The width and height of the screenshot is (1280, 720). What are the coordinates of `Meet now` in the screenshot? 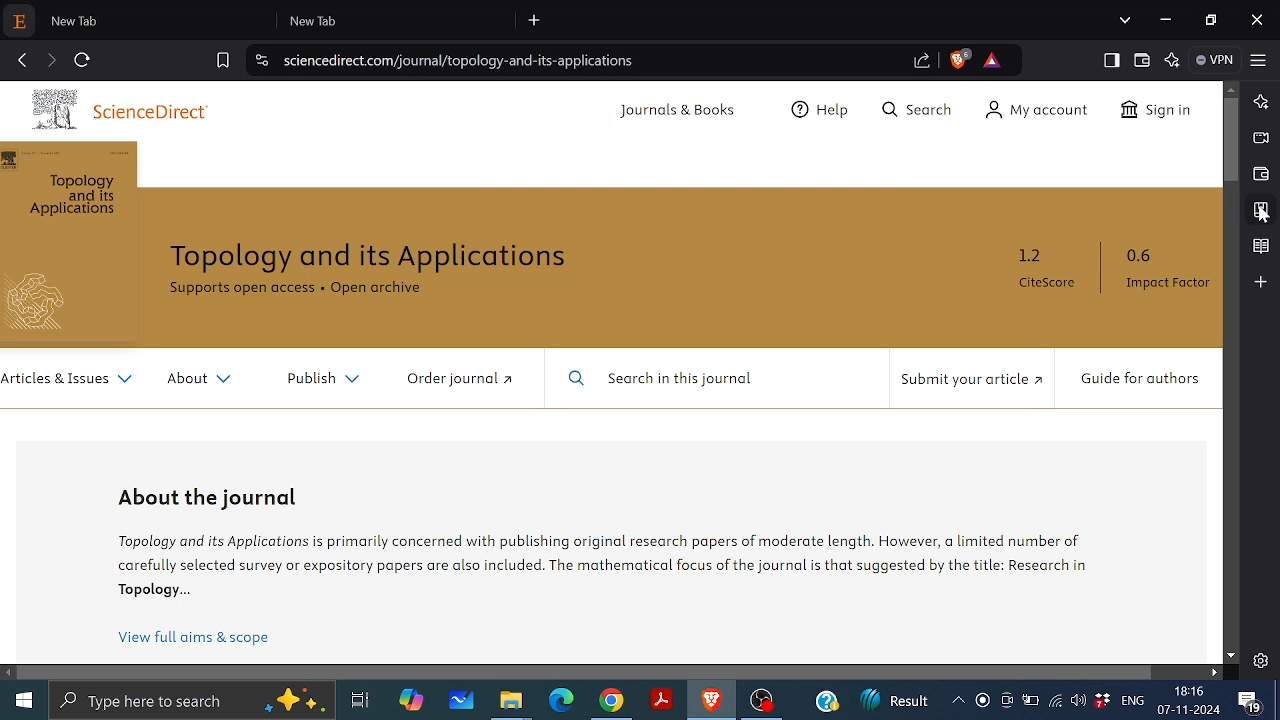 It's located at (1006, 704).